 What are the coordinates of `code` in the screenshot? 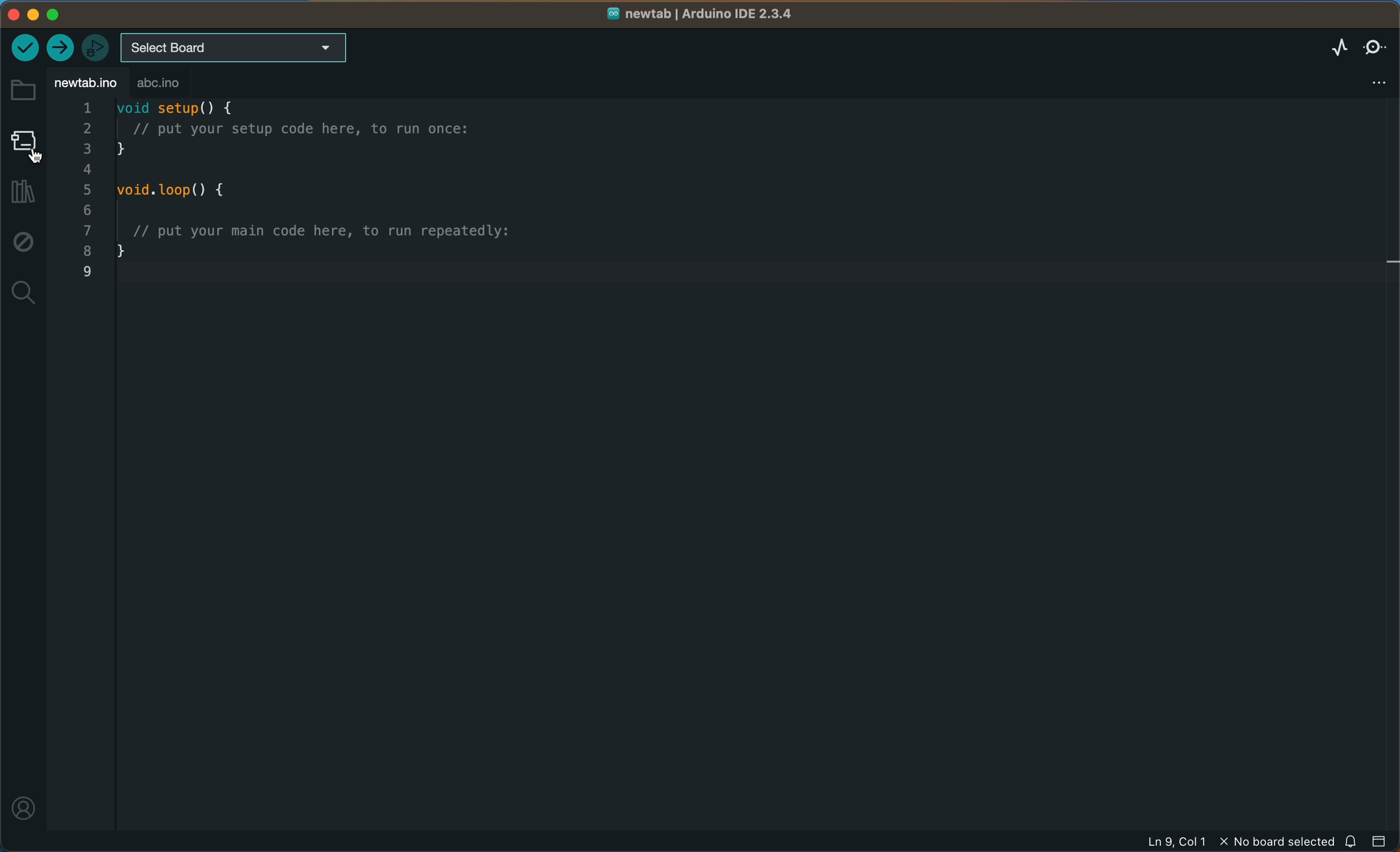 It's located at (341, 203).